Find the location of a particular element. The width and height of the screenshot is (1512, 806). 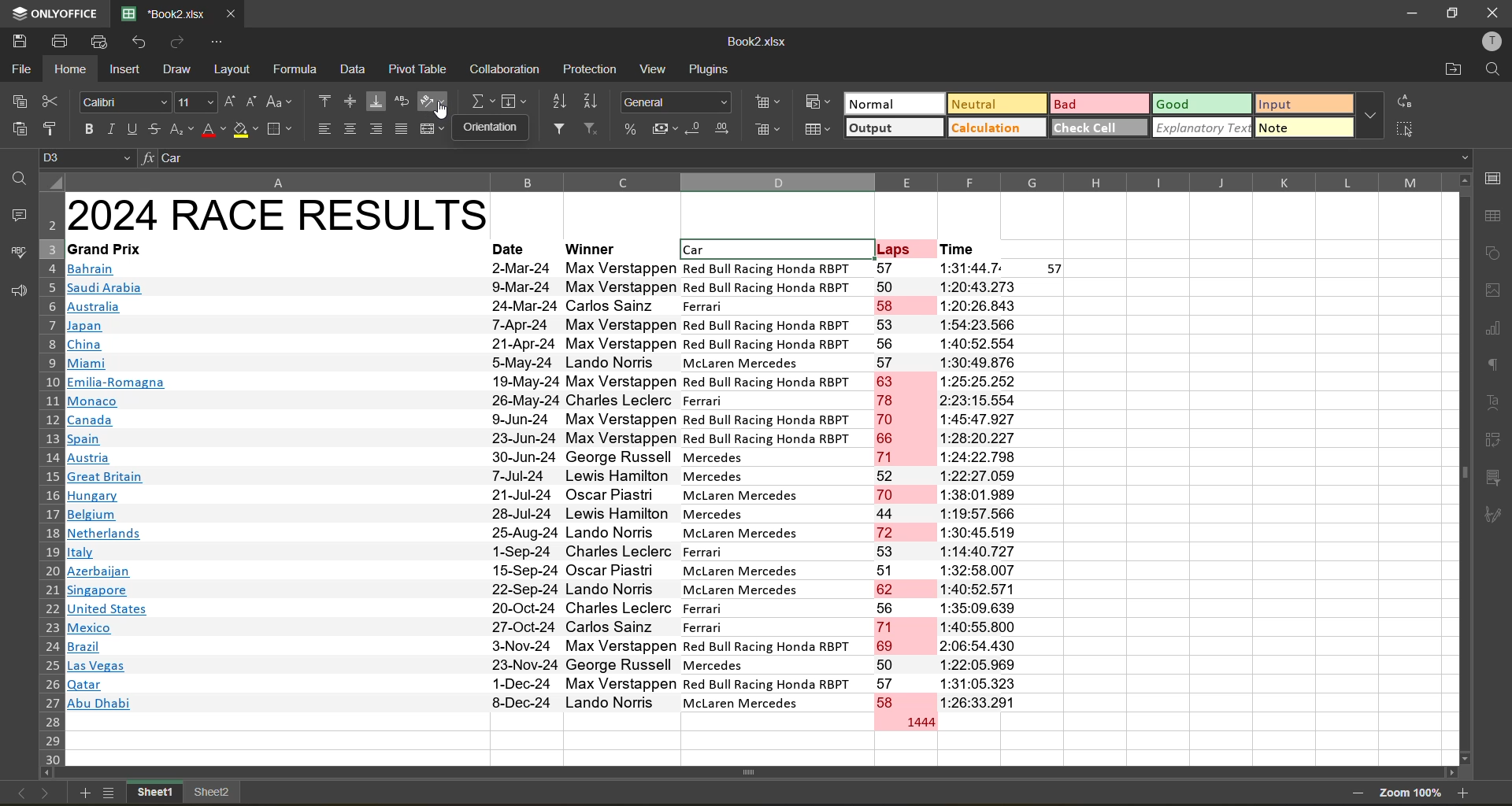

align bottom is located at coordinates (375, 100).